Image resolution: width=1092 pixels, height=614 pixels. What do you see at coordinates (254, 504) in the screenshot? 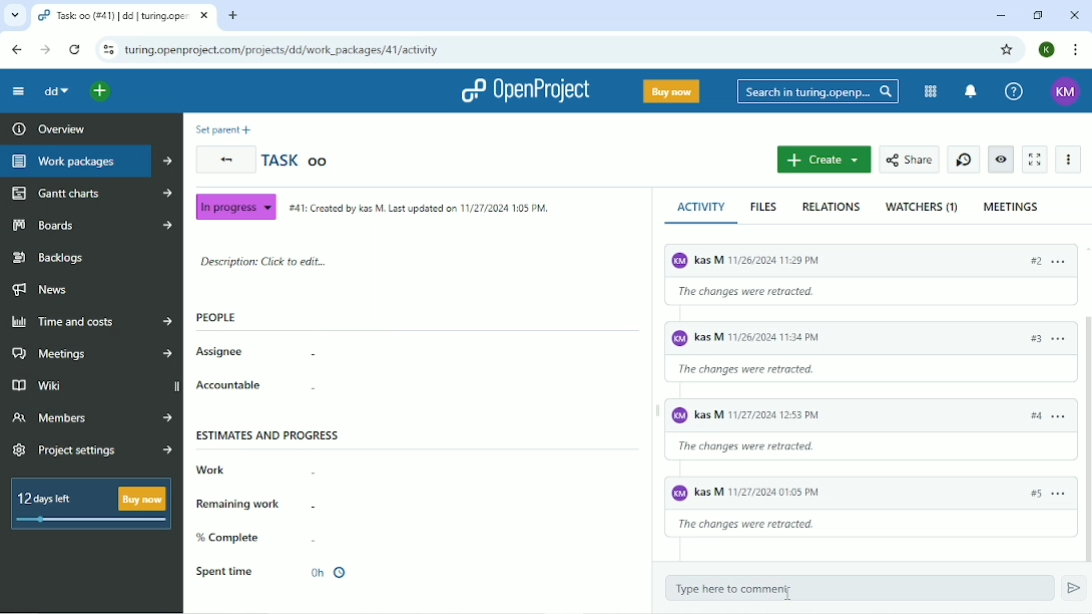
I see `Remaining work` at bounding box center [254, 504].